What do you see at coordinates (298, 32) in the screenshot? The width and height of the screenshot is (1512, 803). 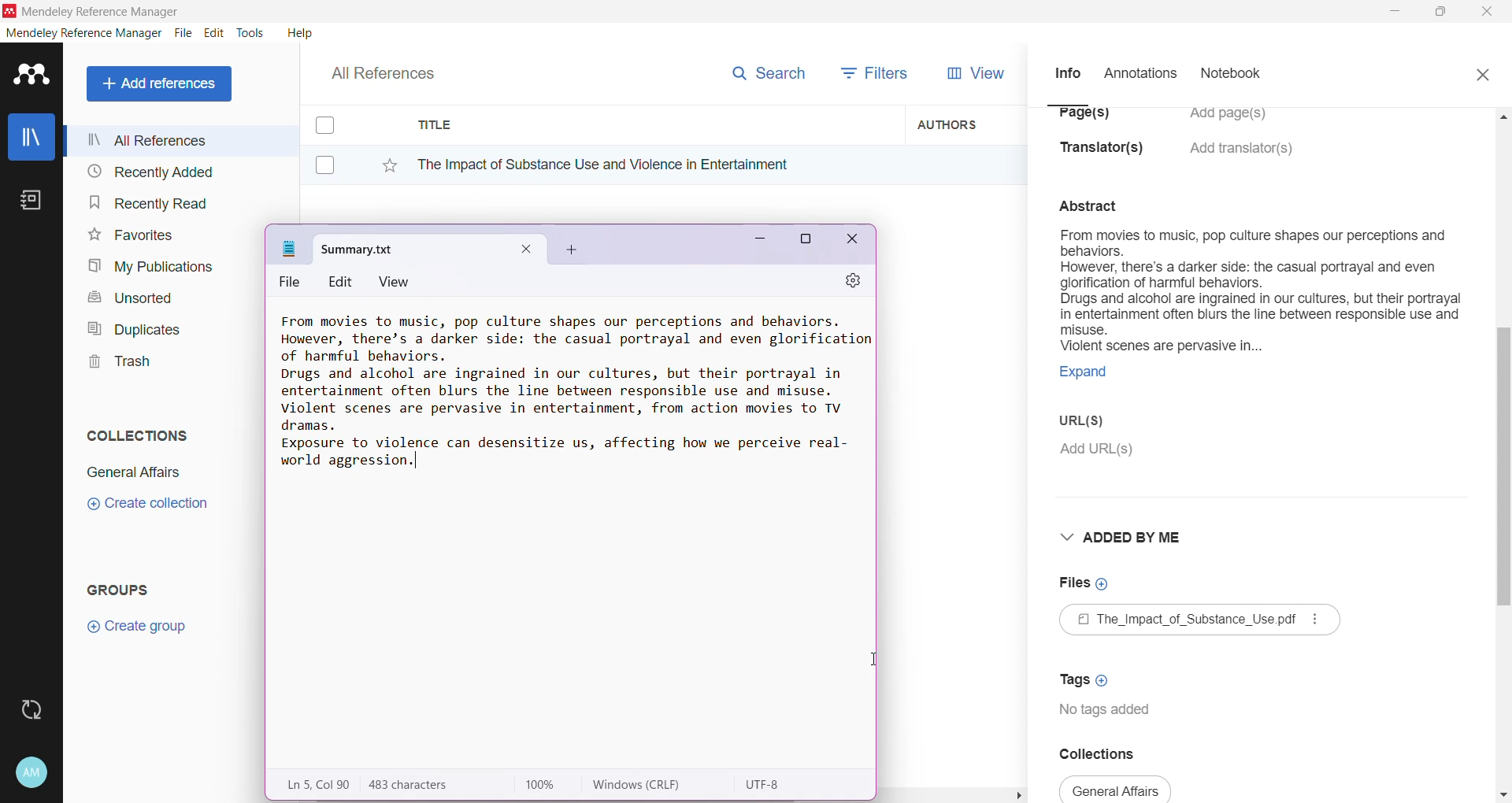 I see `Help` at bounding box center [298, 32].